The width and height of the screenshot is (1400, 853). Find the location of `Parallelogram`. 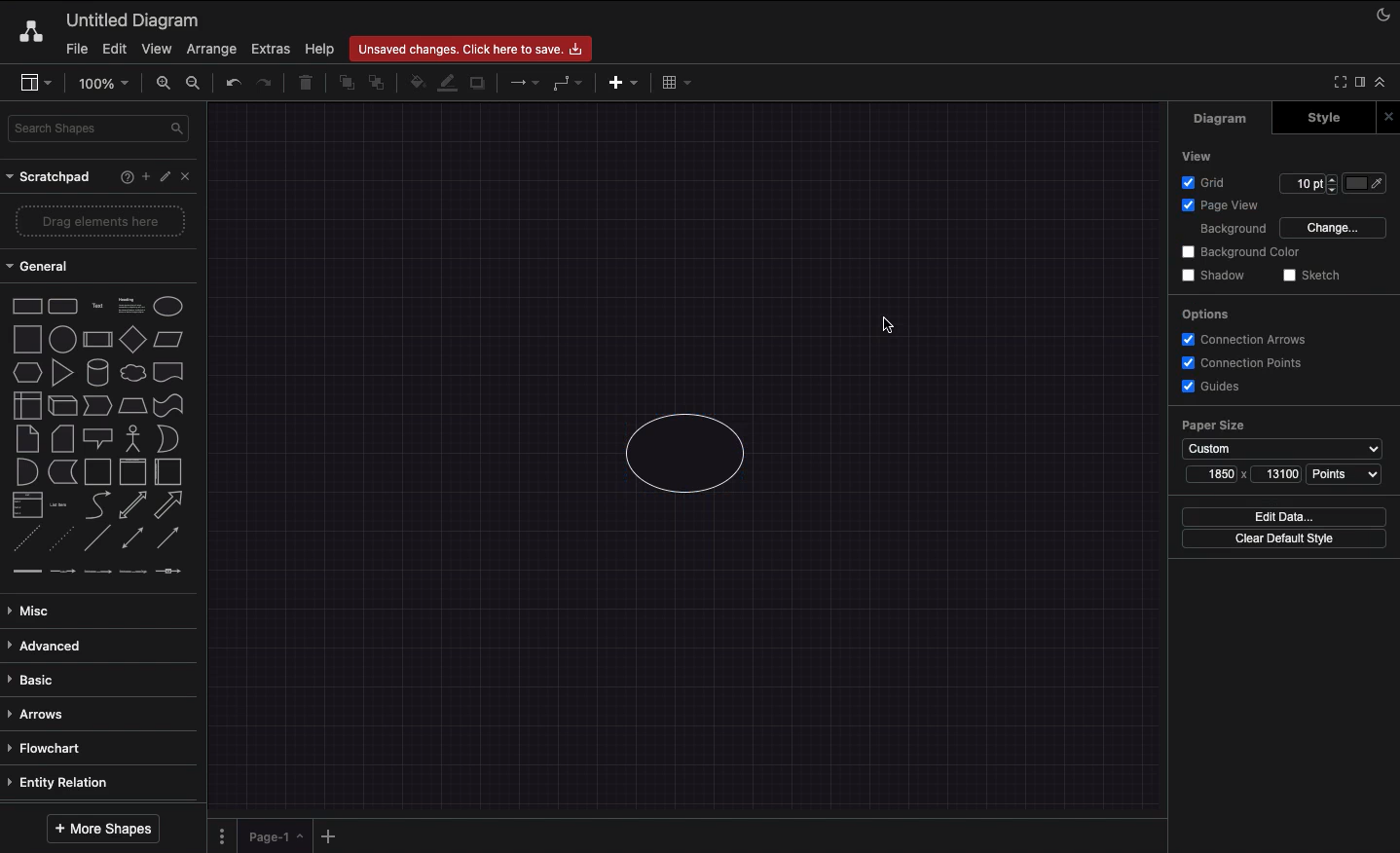

Parallelogram is located at coordinates (169, 340).